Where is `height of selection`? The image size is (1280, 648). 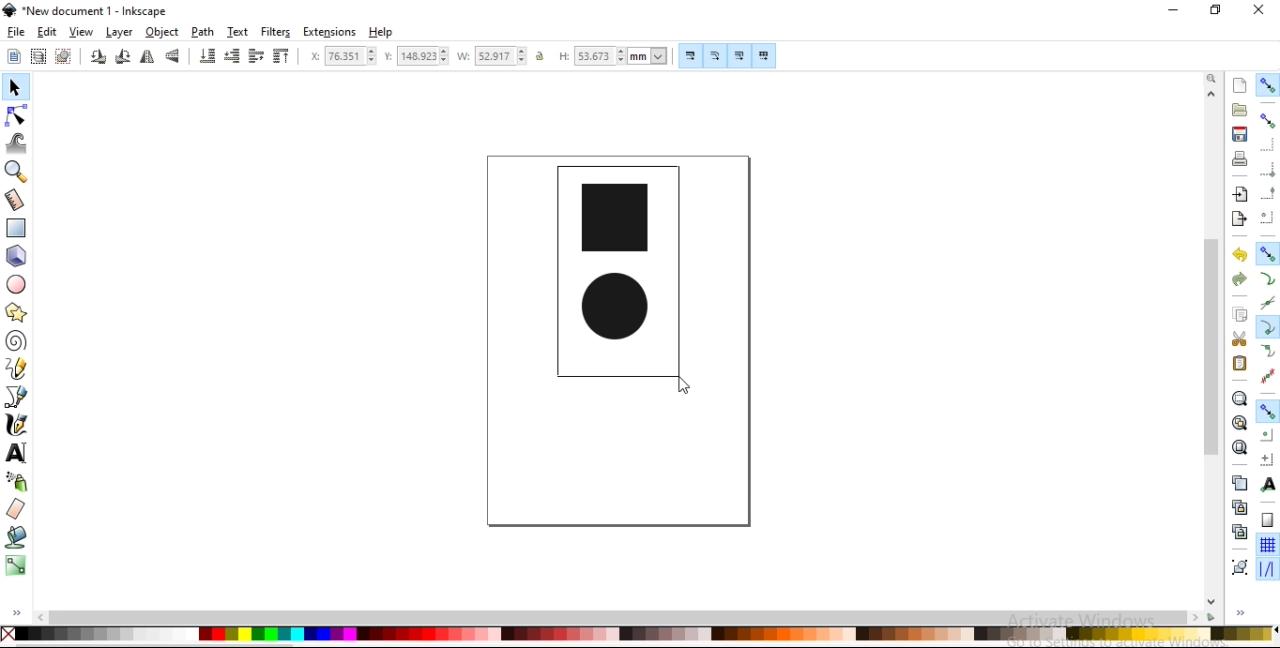
height of selection is located at coordinates (611, 54).